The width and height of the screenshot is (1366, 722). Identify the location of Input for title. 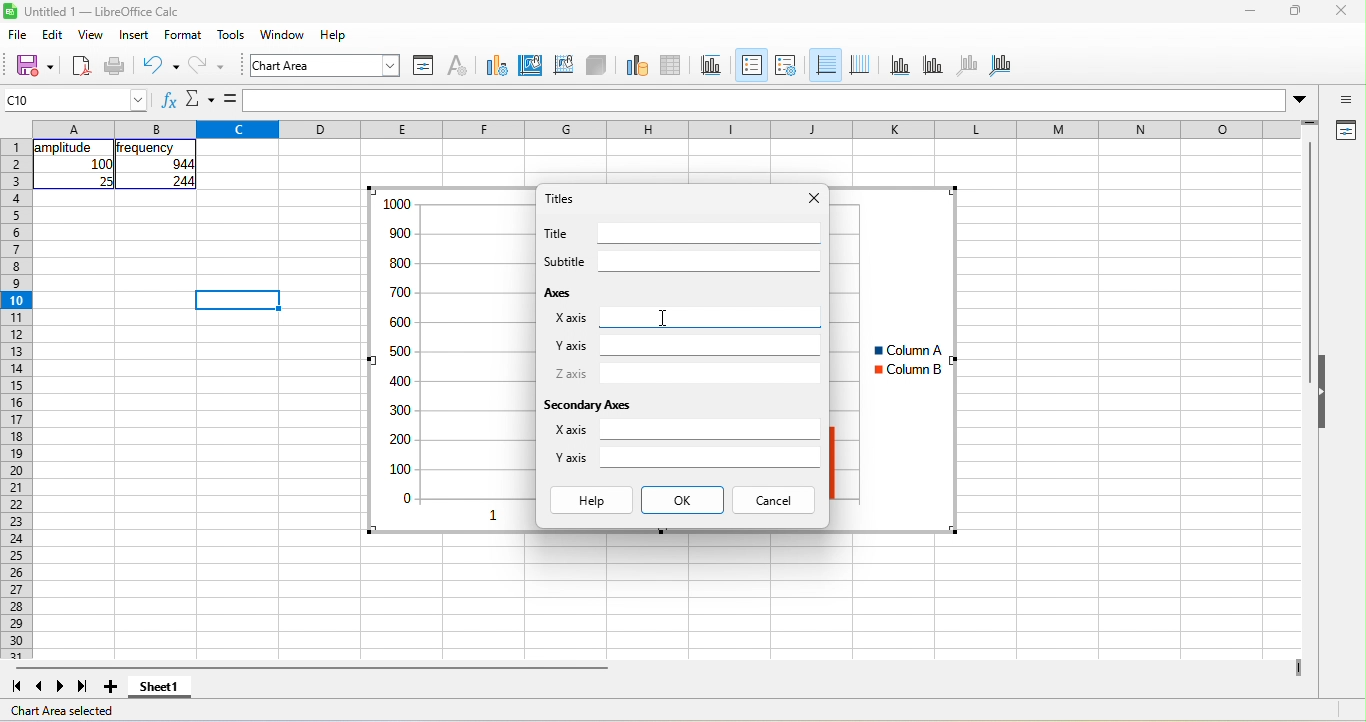
(710, 233).